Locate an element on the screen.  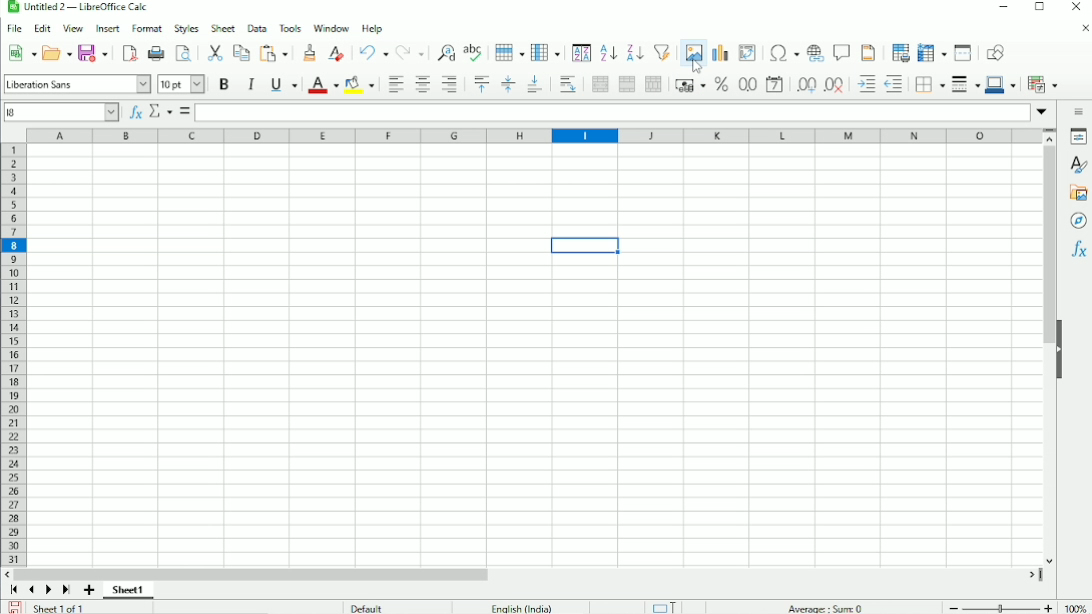
Formula is located at coordinates (184, 111).